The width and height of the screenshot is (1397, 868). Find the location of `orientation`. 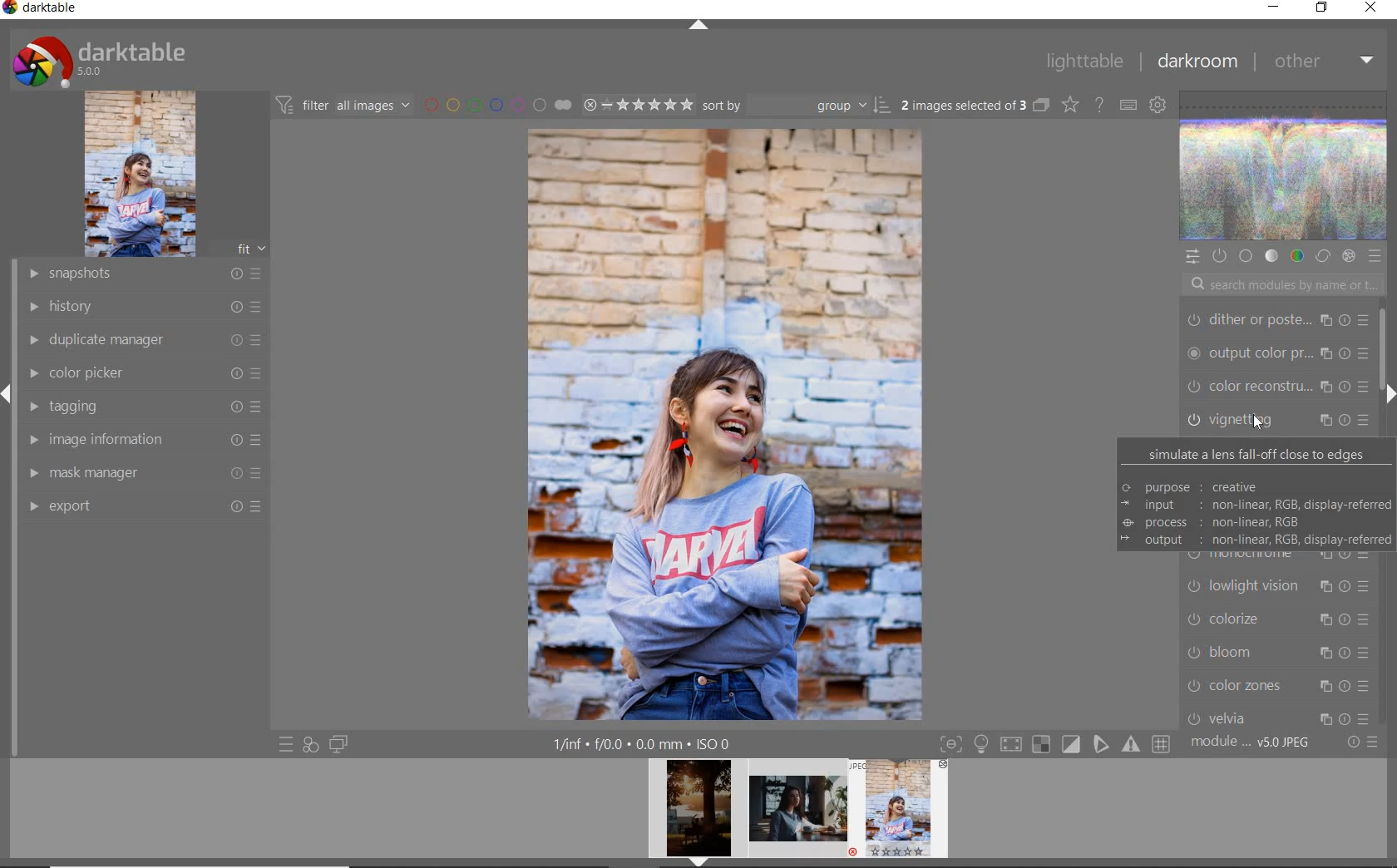

orientation is located at coordinates (1276, 584).